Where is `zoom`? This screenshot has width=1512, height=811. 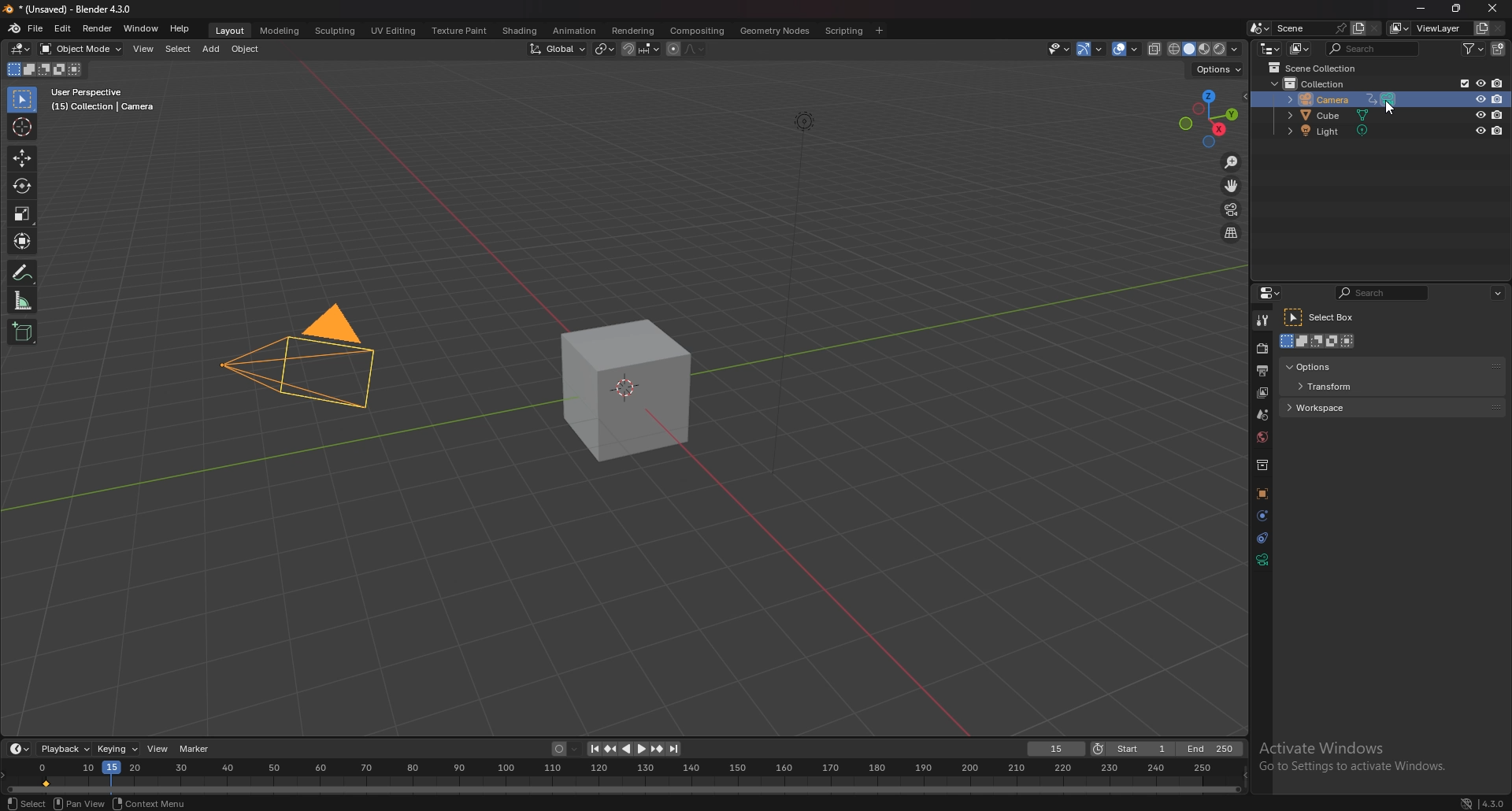 zoom is located at coordinates (1230, 161).